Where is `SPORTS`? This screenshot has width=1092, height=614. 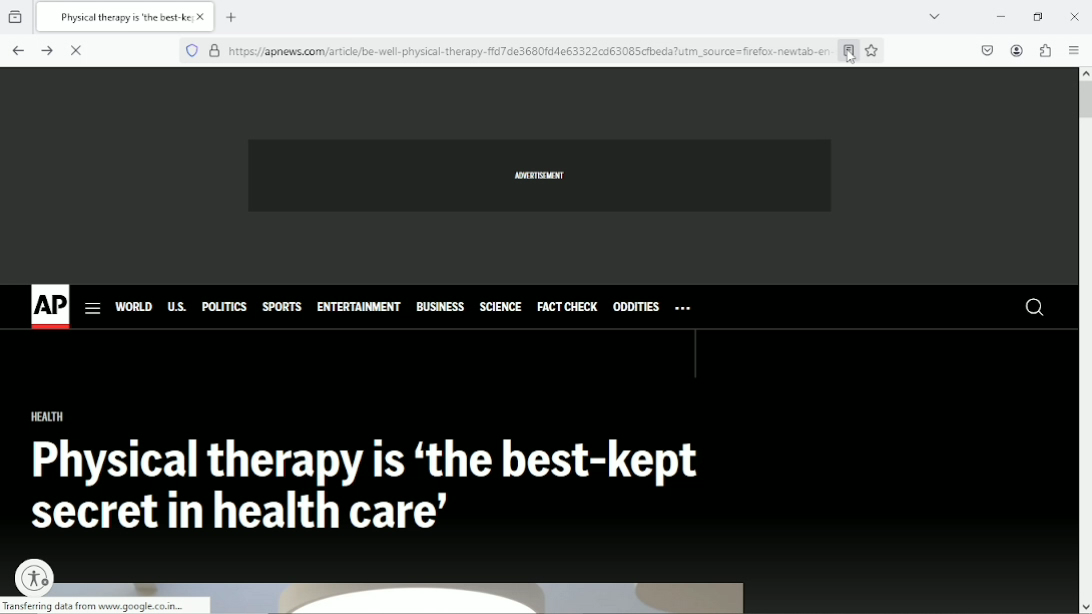
SPORTS is located at coordinates (278, 307).